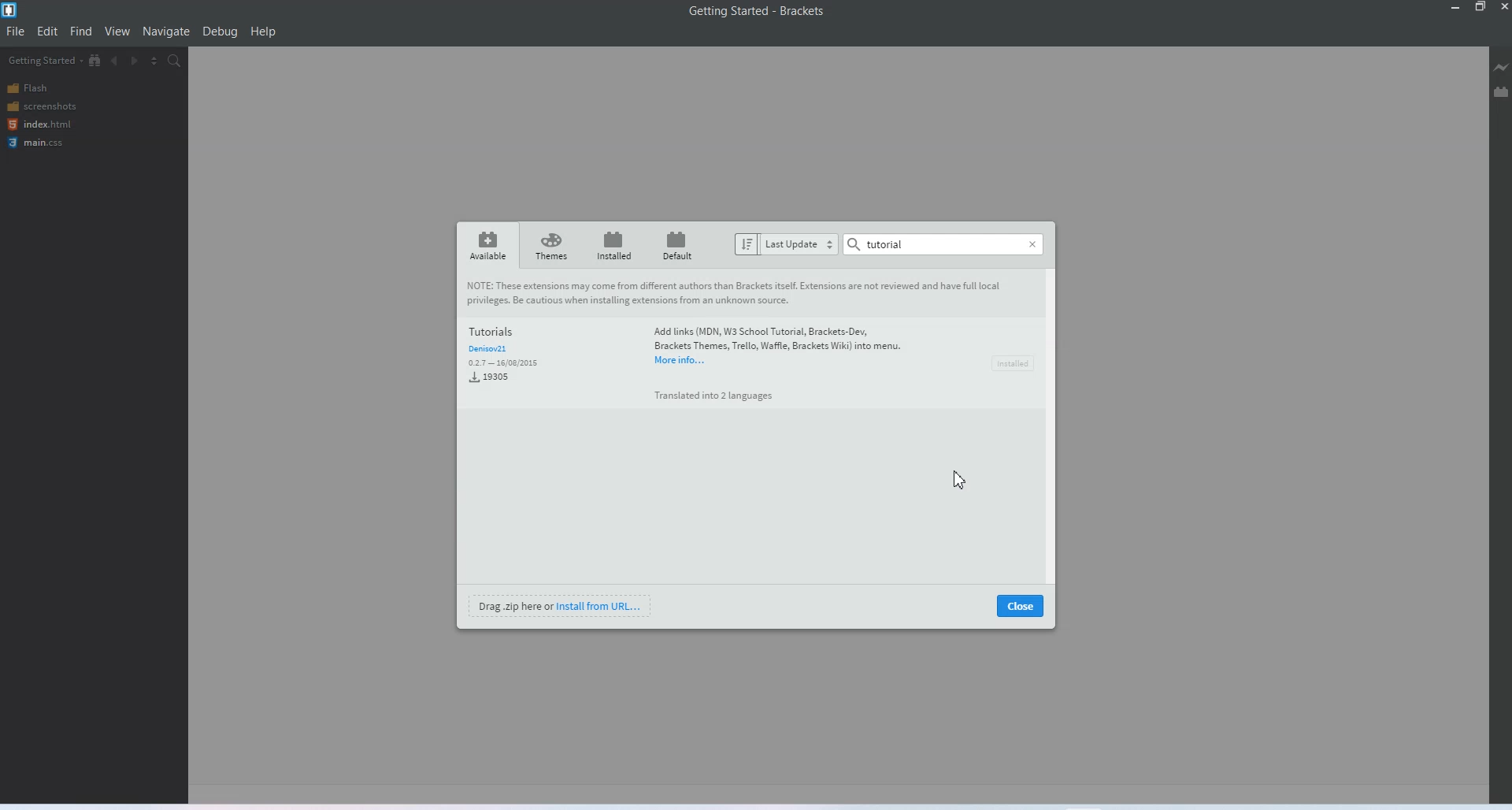  I want to click on Find, so click(82, 32).